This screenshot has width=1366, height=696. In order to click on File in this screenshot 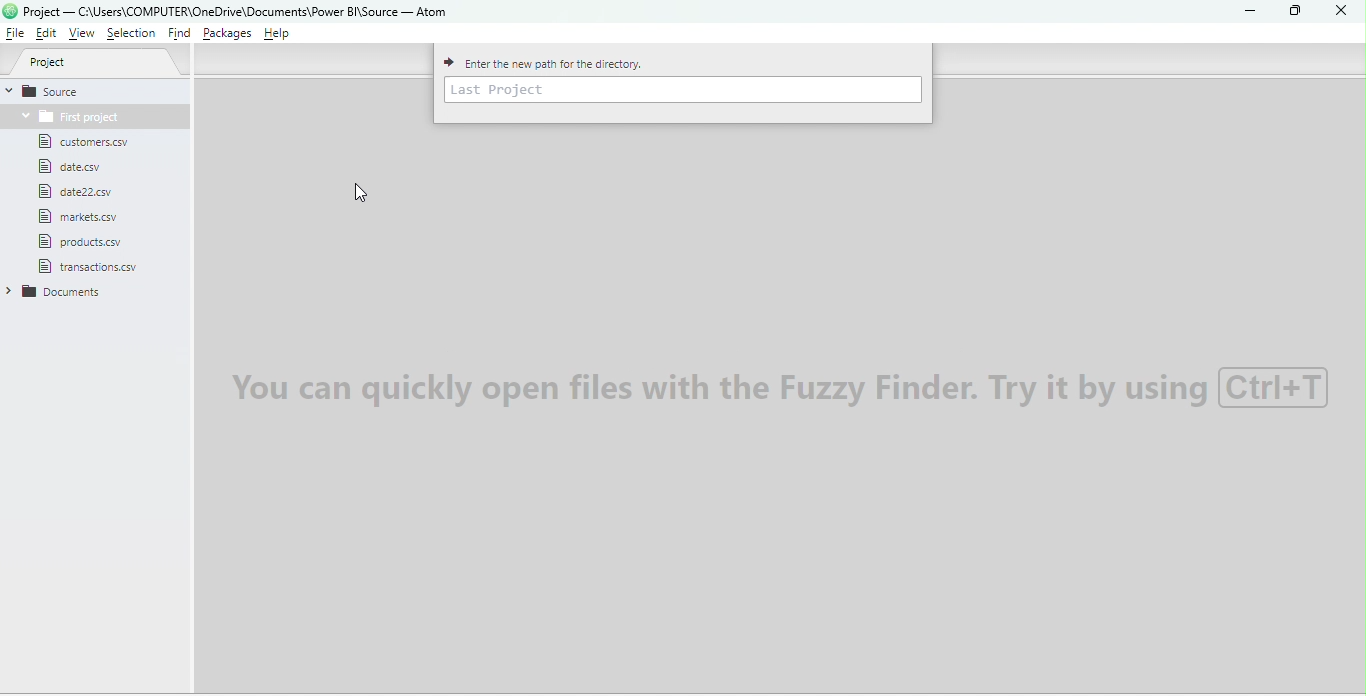, I will do `click(79, 167)`.